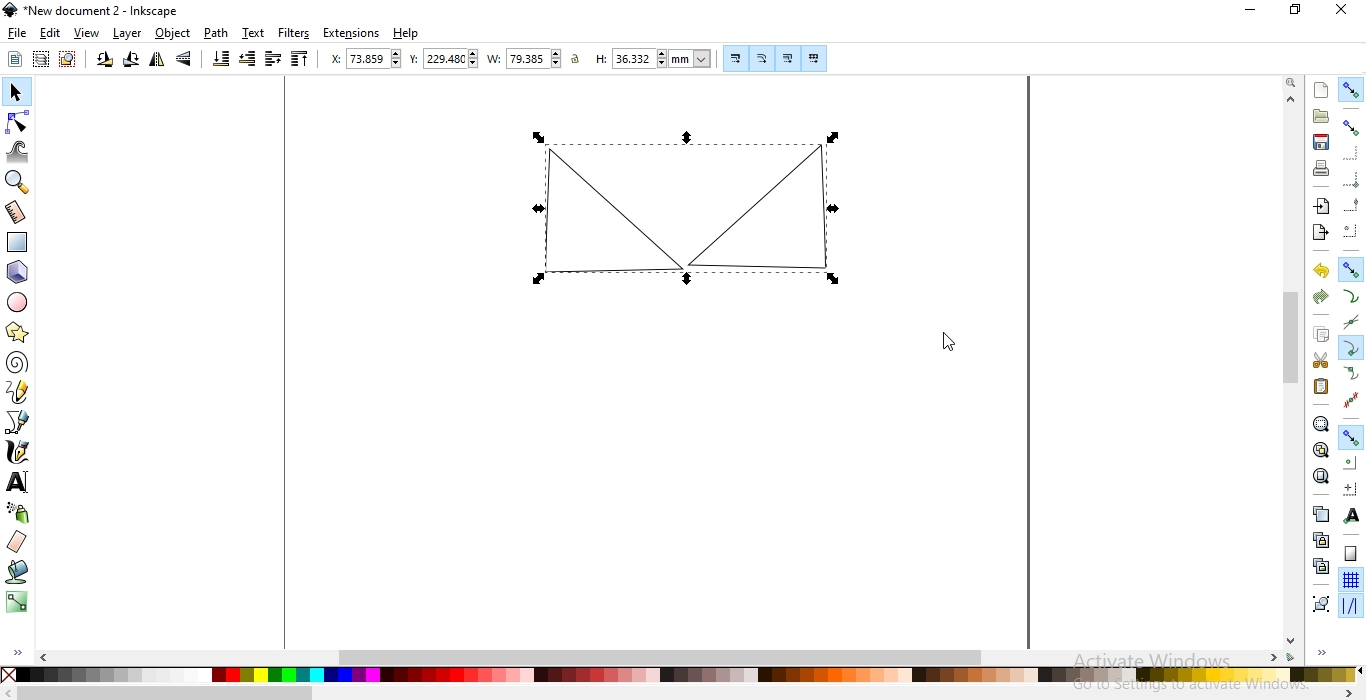 This screenshot has height=700, width=1366. Describe the element at coordinates (254, 33) in the screenshot. I see `text` at that location.